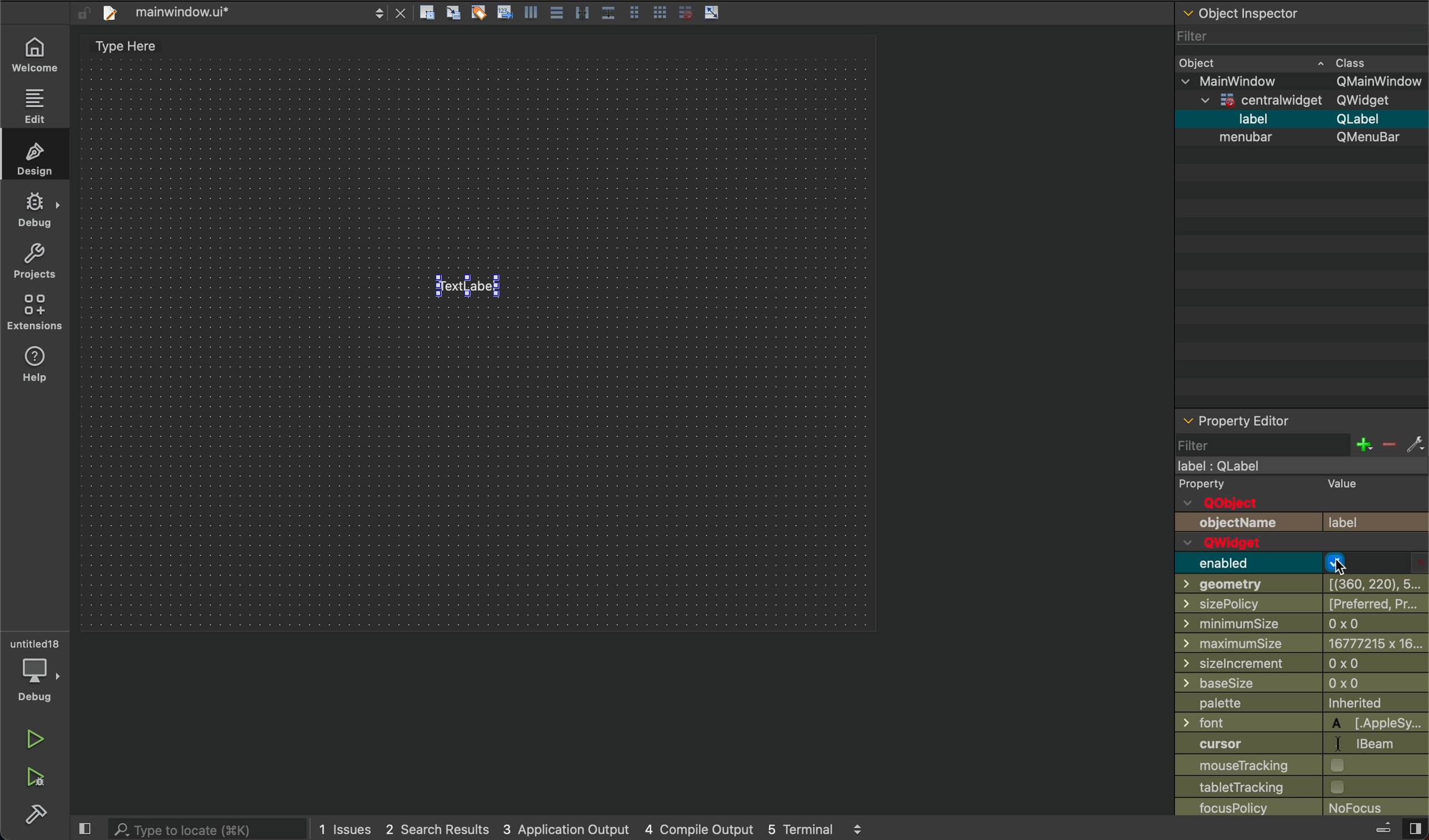 The image size is (1429, 840). I want to click on debug, so click(32, 684).